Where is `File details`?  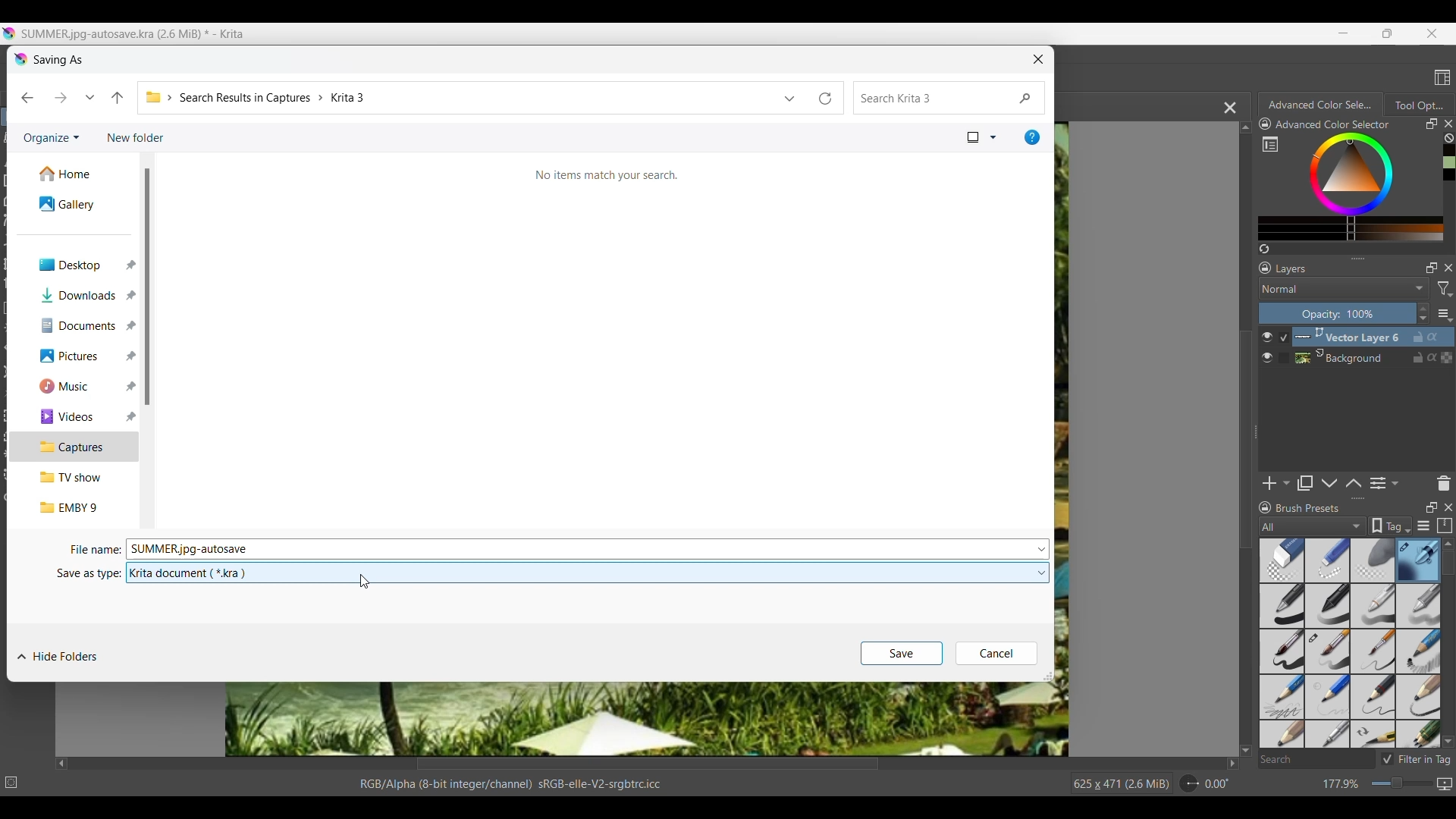 File details is located at coordinates (510, 784).